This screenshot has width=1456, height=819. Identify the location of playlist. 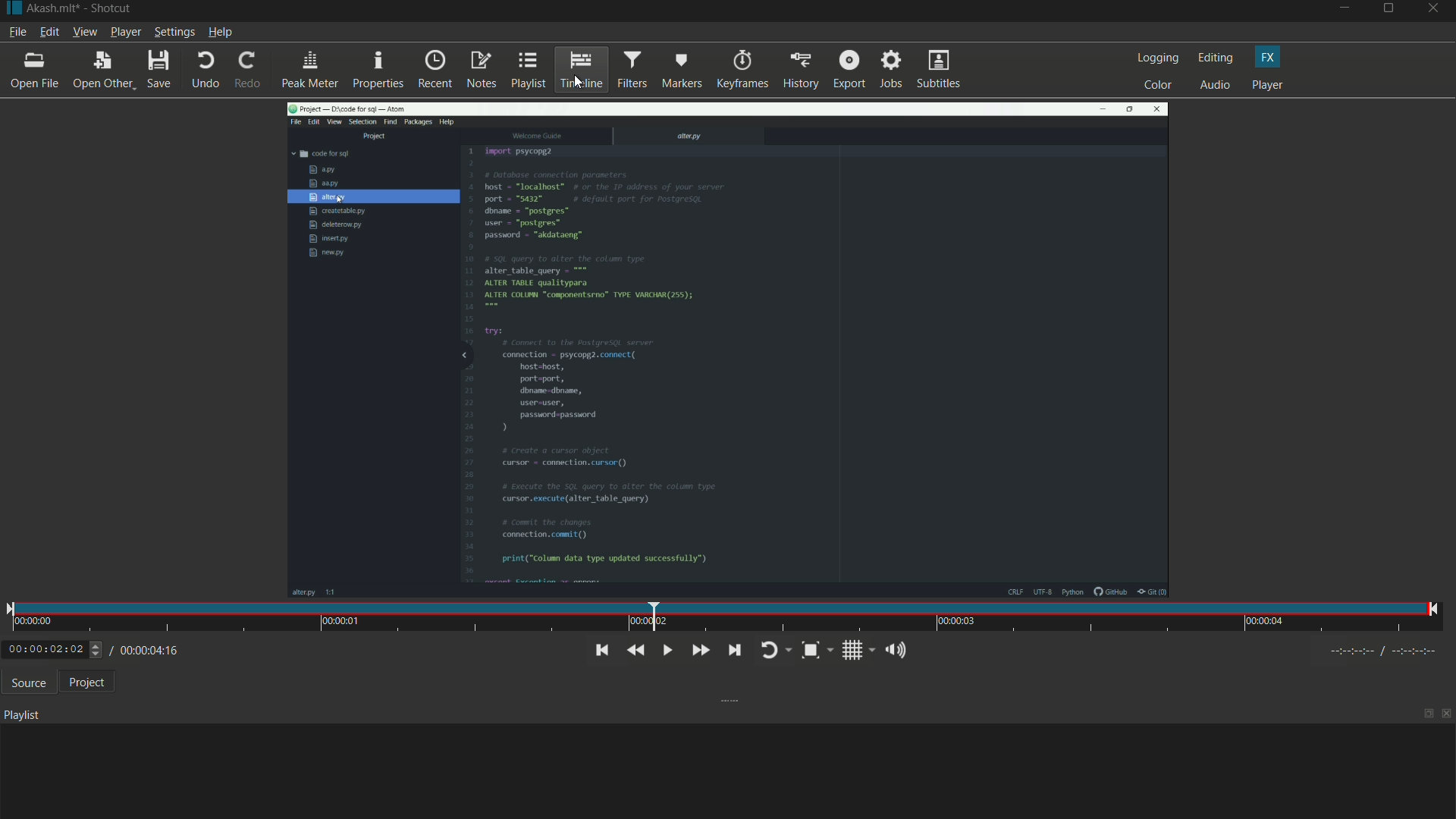
(527, 71).